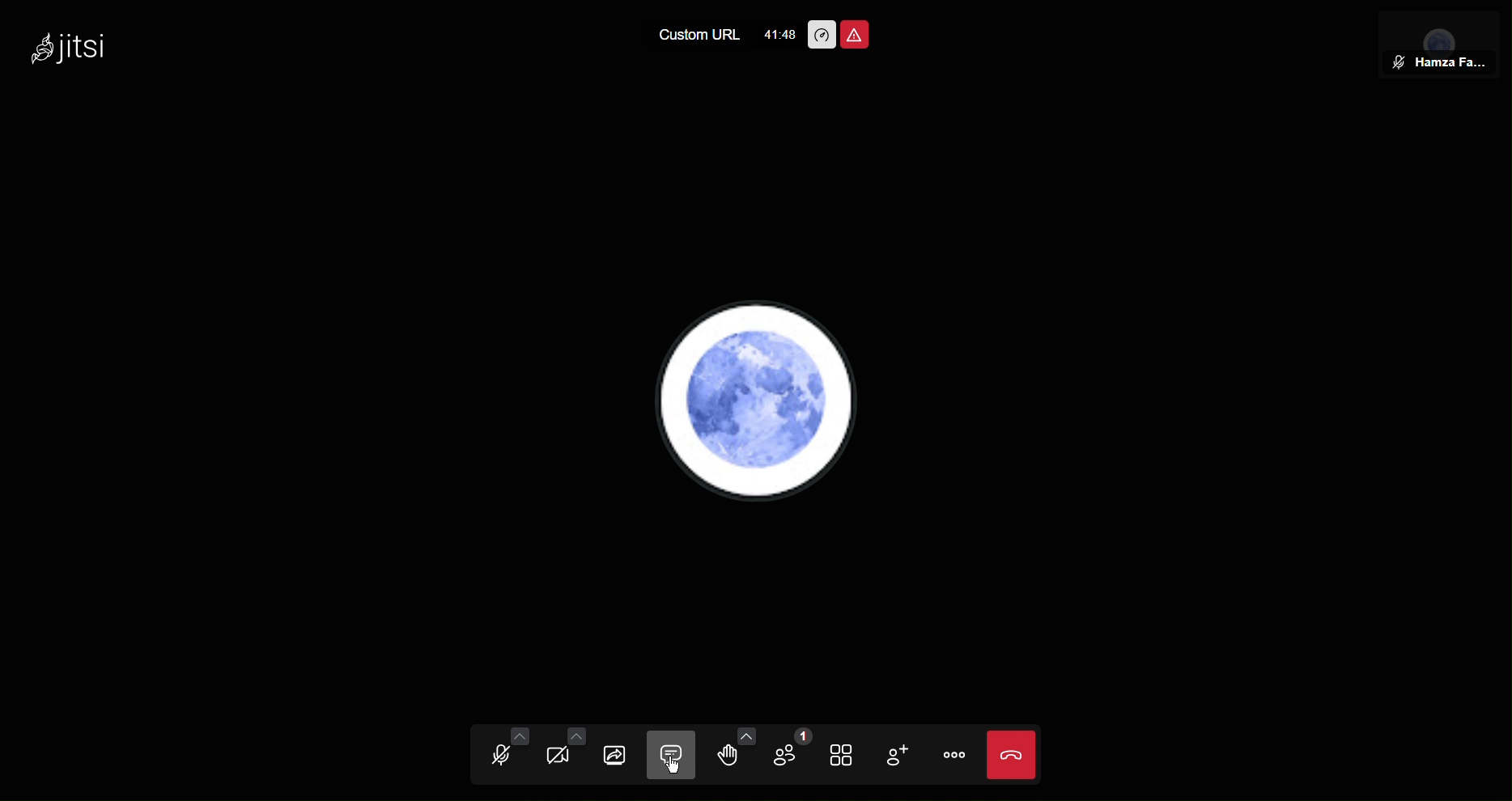 The width and height of the screenshot is (1512, 801). What do you see at coordinates (619, 753) in the screenshot?
I see `Share Selection` at bounding box center [619, 753].